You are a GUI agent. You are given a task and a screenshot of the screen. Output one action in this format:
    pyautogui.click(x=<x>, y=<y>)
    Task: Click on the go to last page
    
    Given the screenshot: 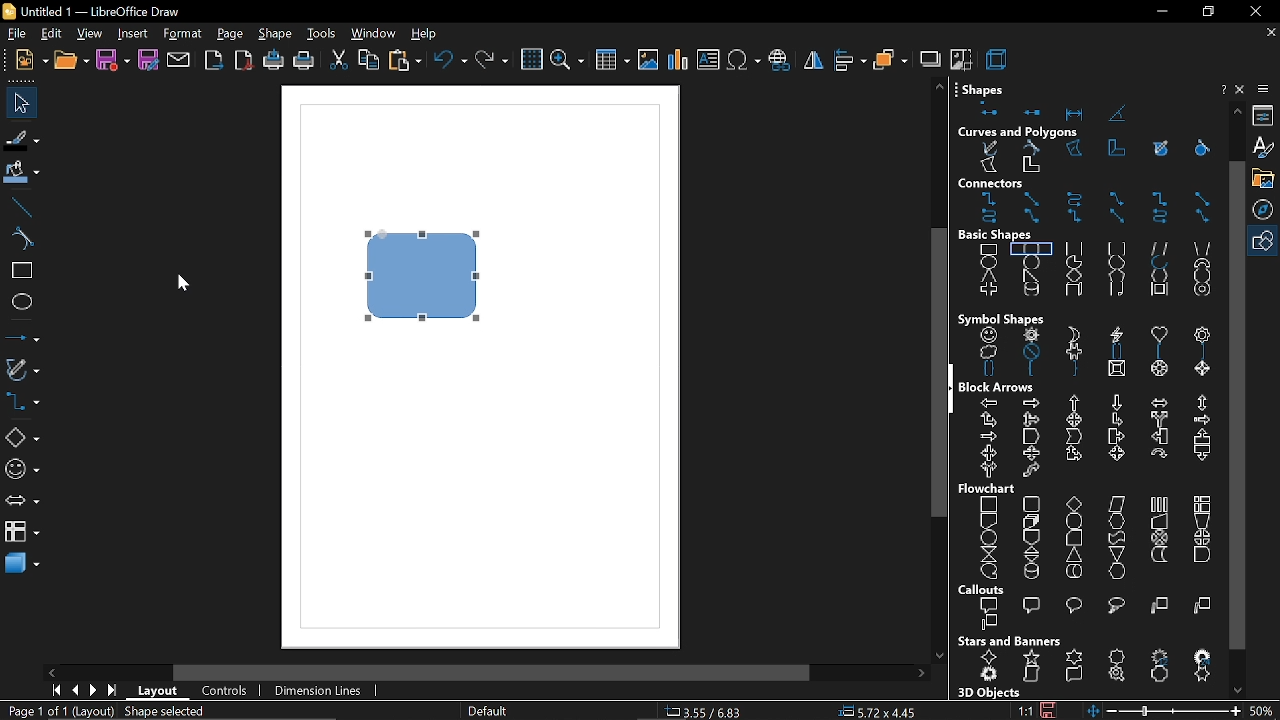 What is the action you would take?
    pyautogui.click(x=114, y=692)
    